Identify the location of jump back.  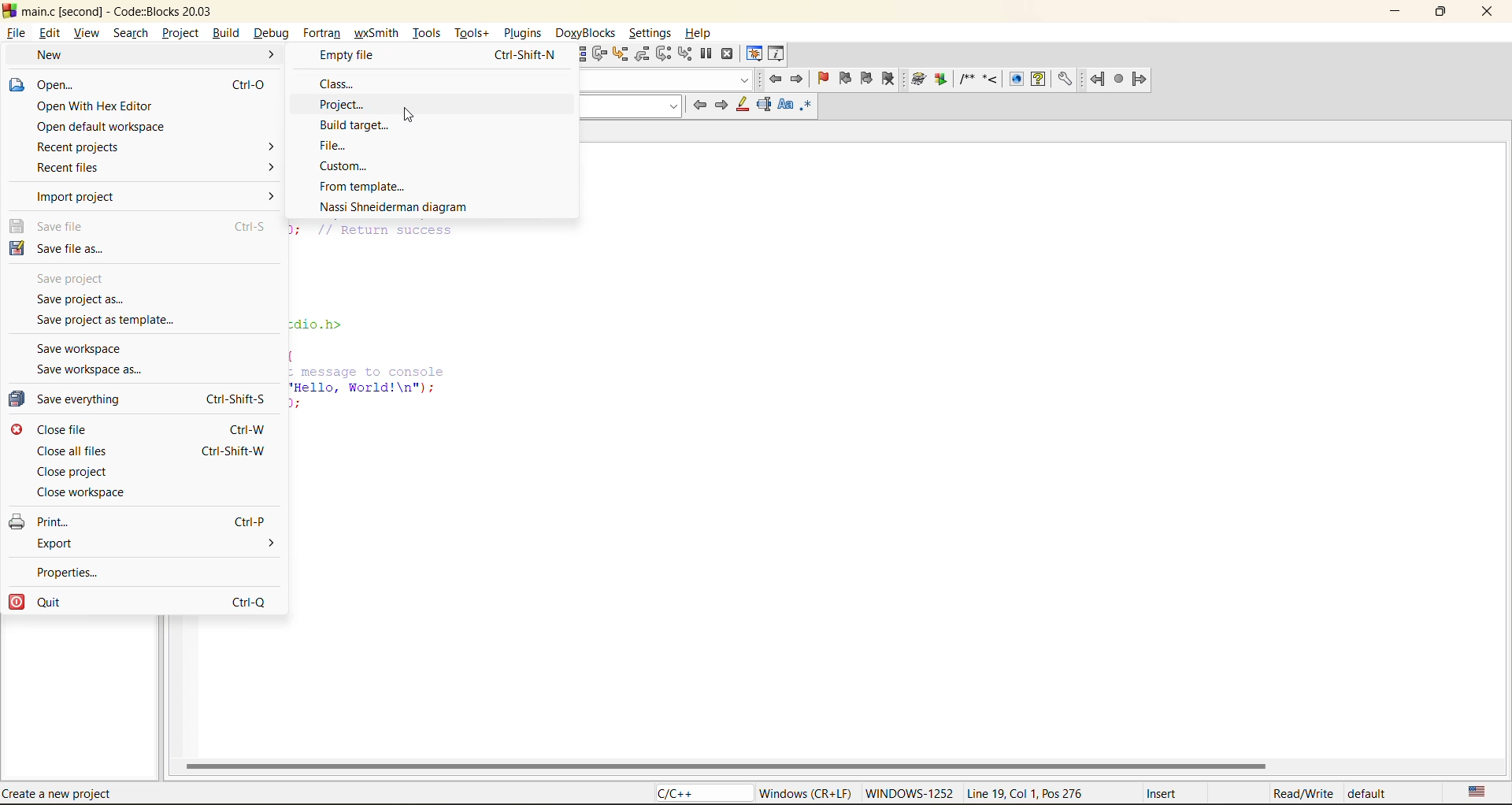
(777, 80).